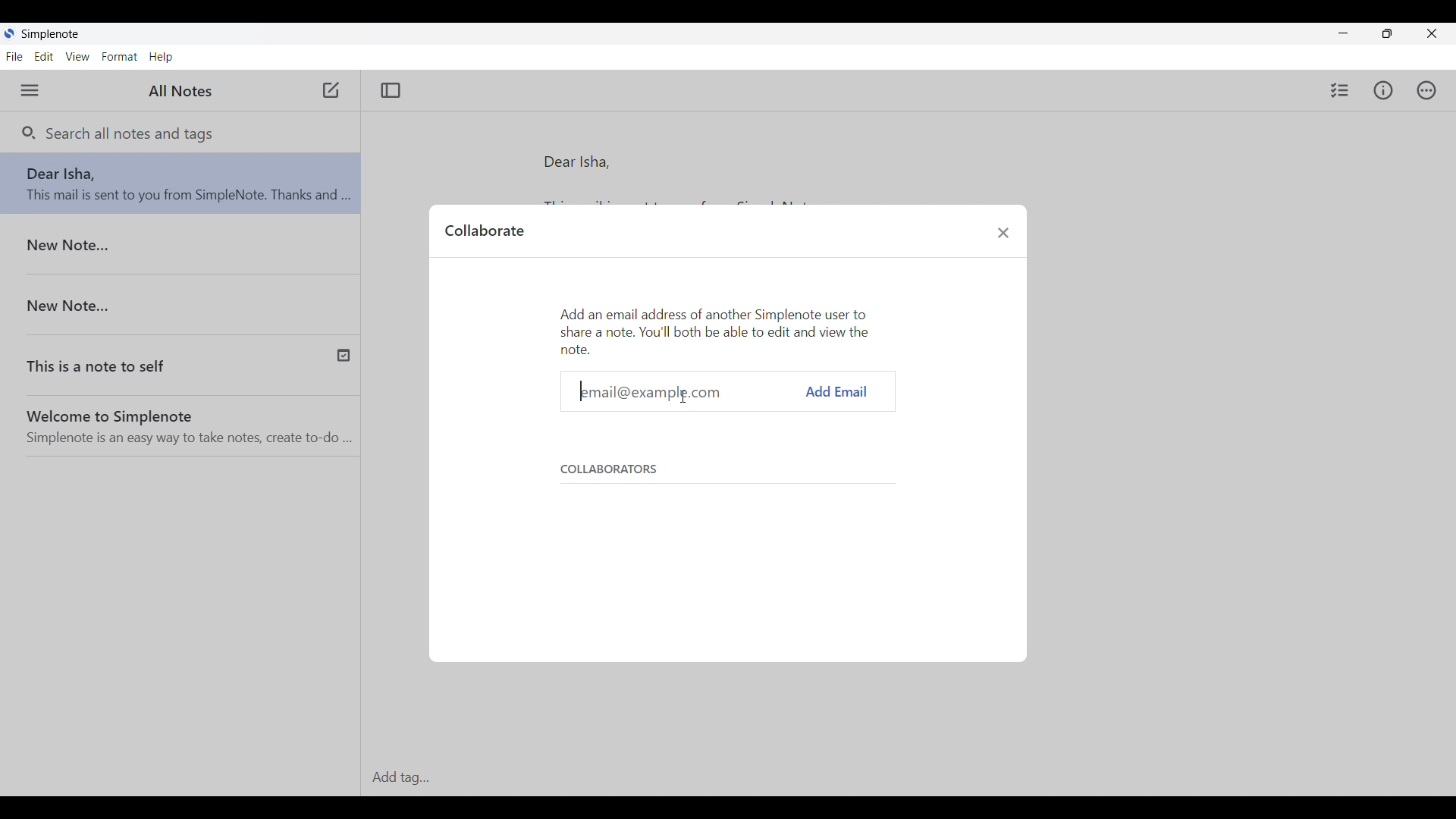  I want to click on Cursor, so click(689, 400).